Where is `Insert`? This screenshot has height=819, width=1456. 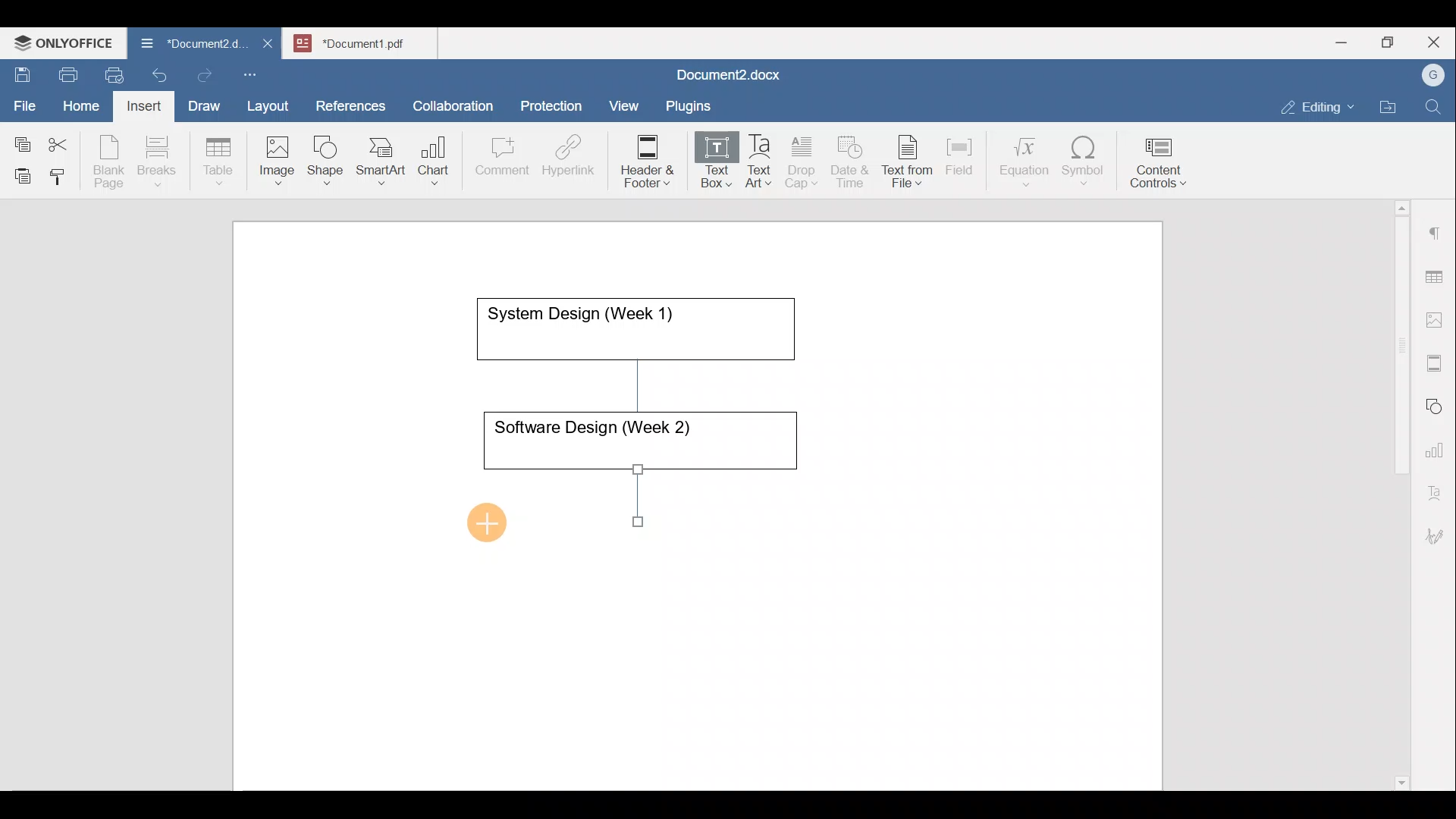 Insert is located at coordinates (140, 103).